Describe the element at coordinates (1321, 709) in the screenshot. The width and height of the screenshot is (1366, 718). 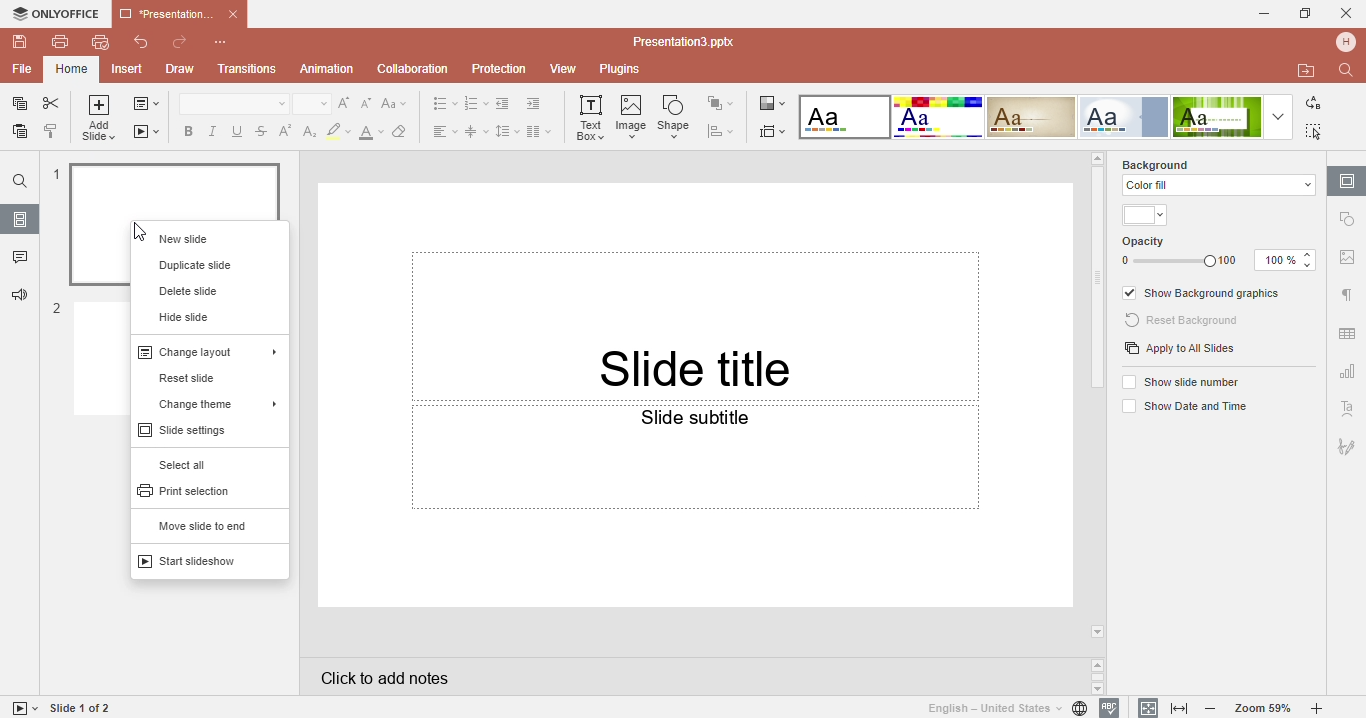
I see `Zoom in` at that location.